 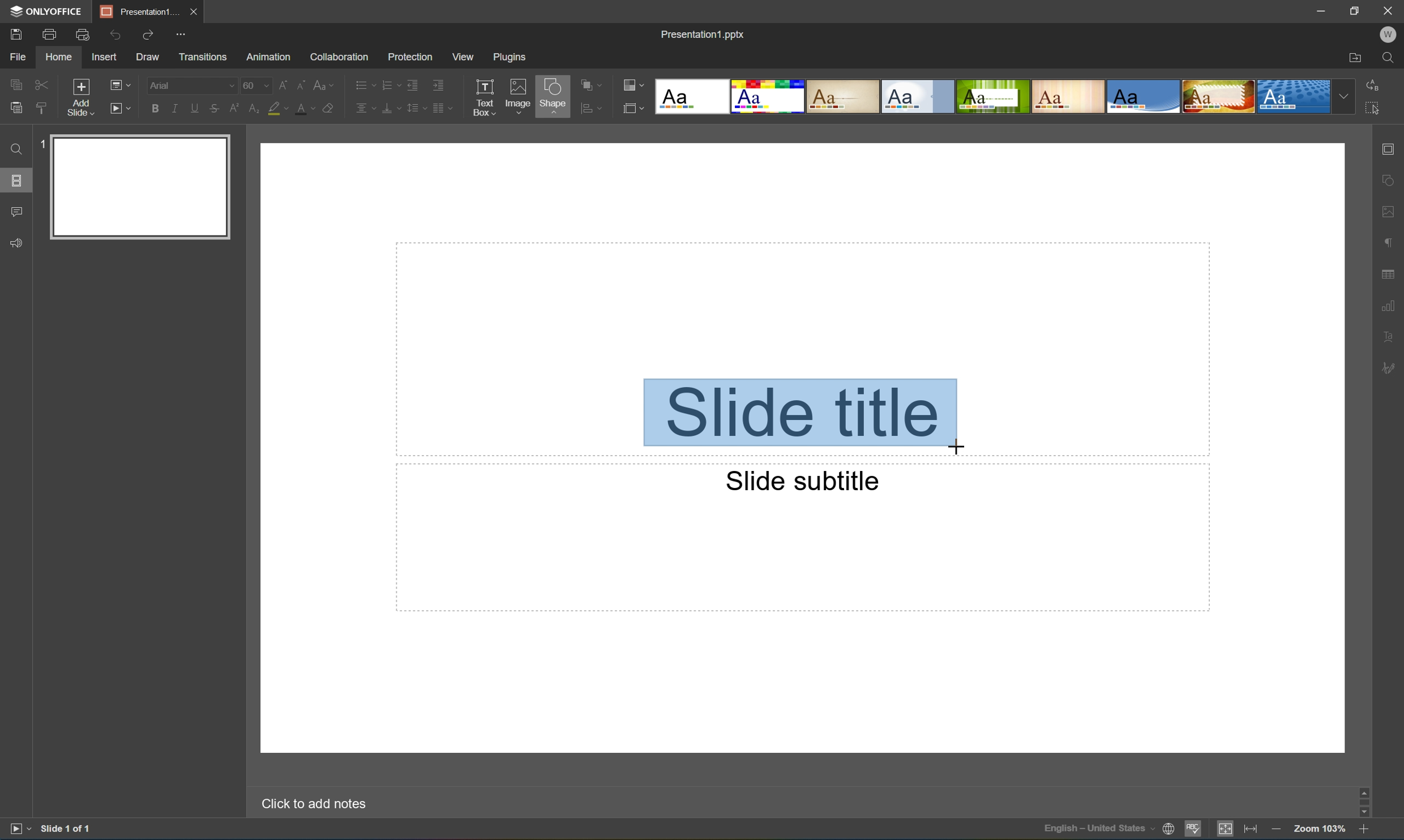 What do you see at coordinates (214, 110) in the screenshot?
I see `Strikethrough` at bounding box center [214, 110].